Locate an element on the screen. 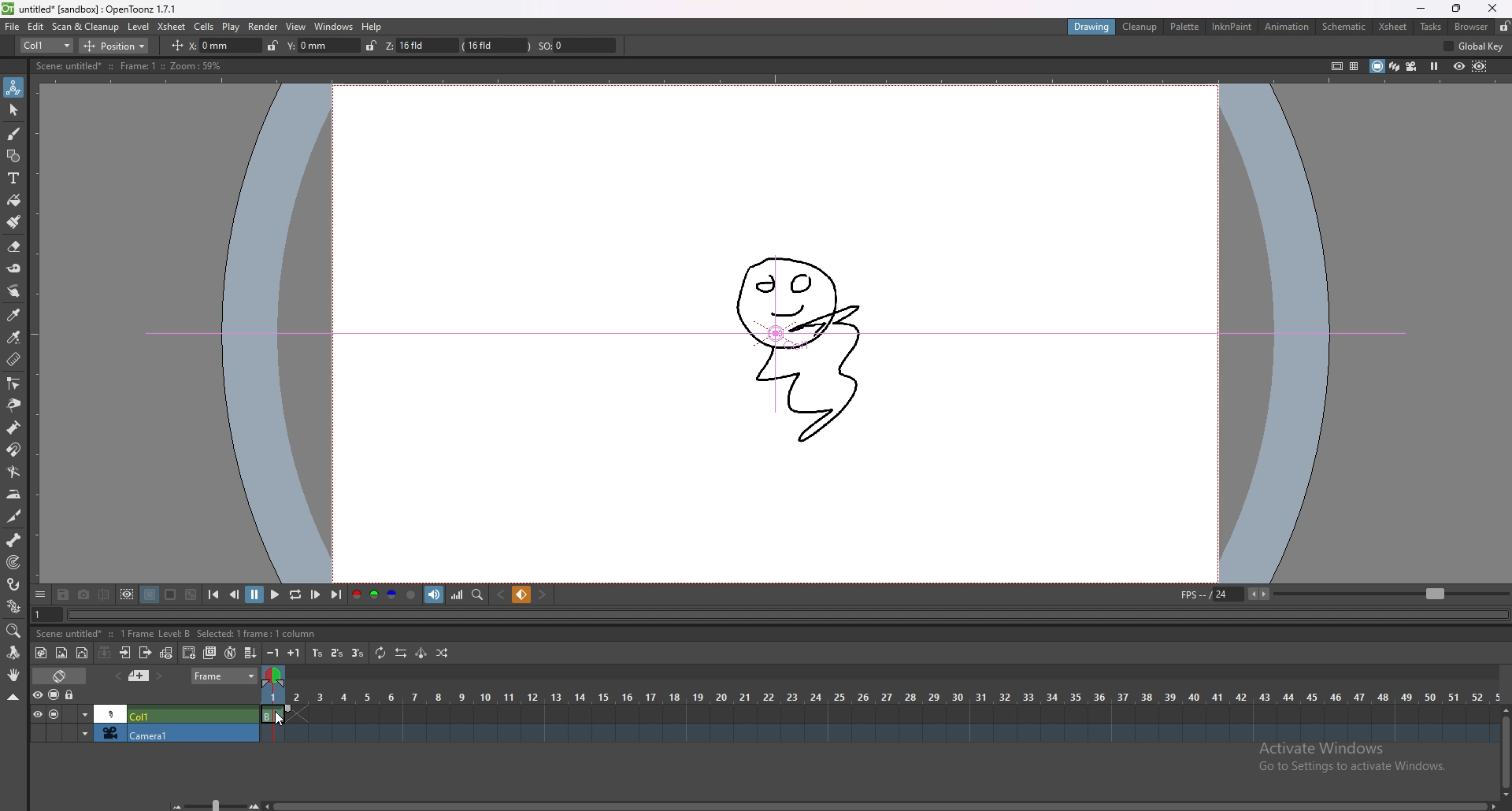  fps is located at coordinates (1340, 594).